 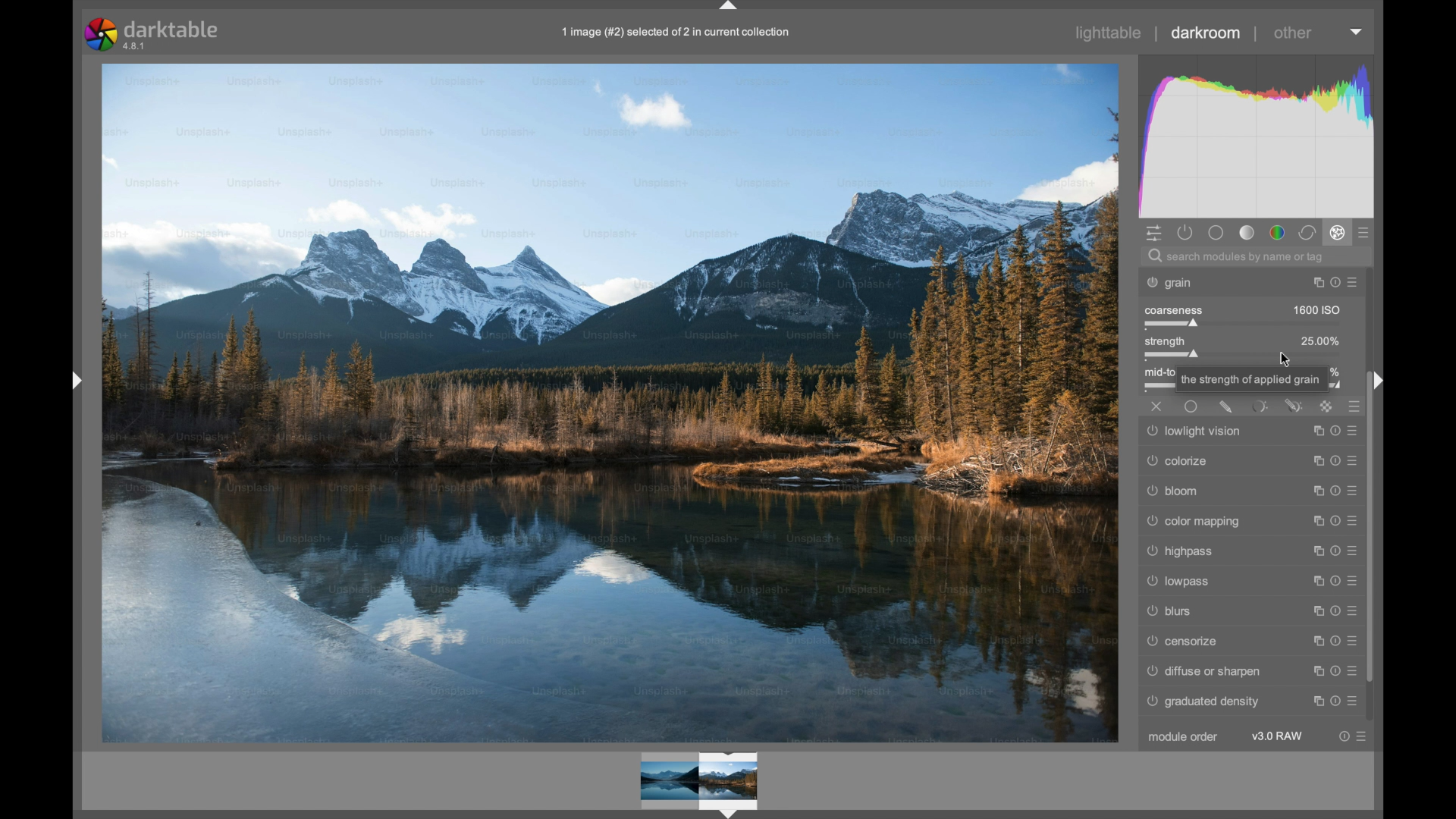 What do you see at coordinates (1380, 380) in the screenshot?
I see `Drag handle` at bounding box center [1380, 380].